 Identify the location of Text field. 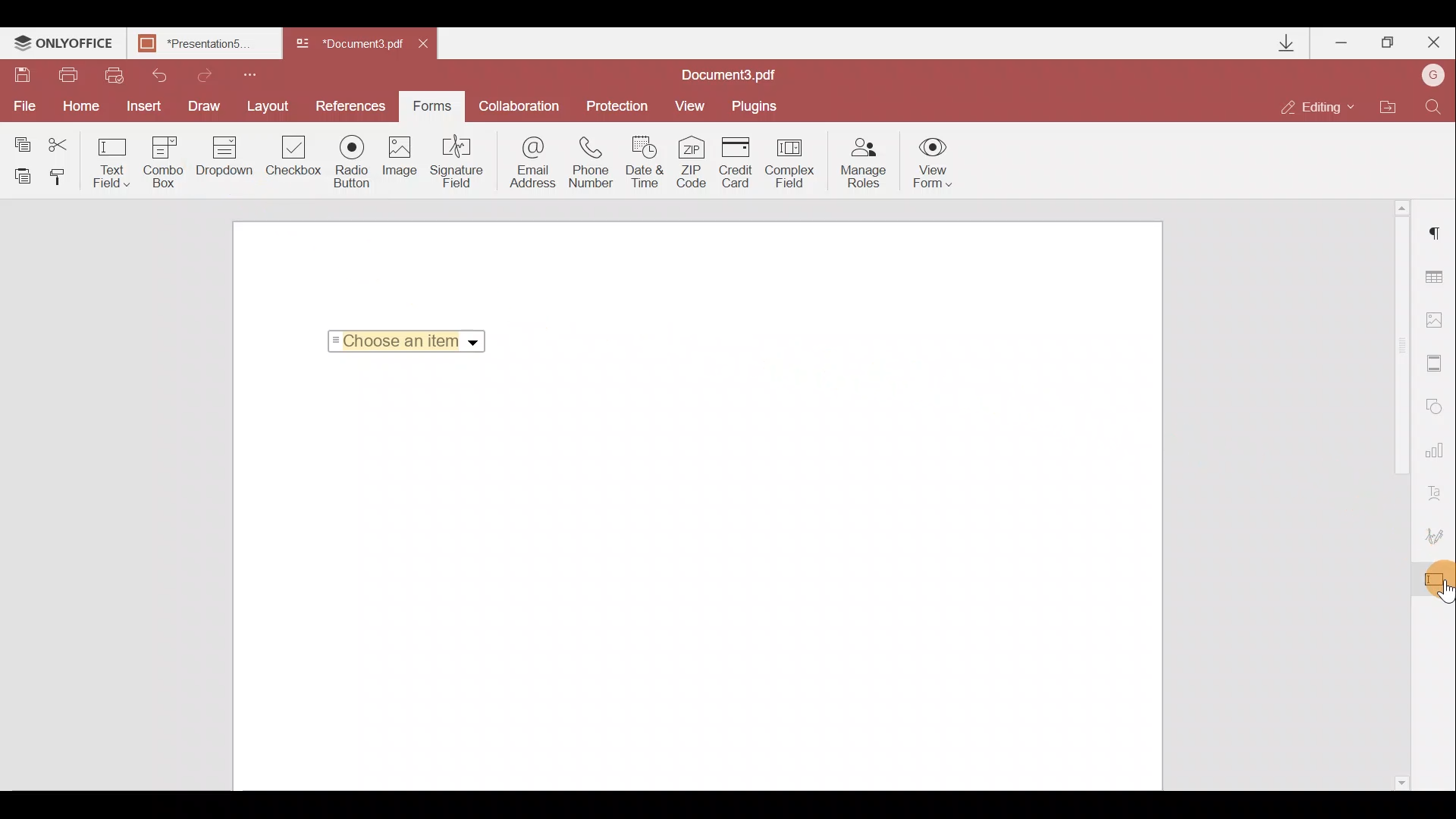
(109, 162).